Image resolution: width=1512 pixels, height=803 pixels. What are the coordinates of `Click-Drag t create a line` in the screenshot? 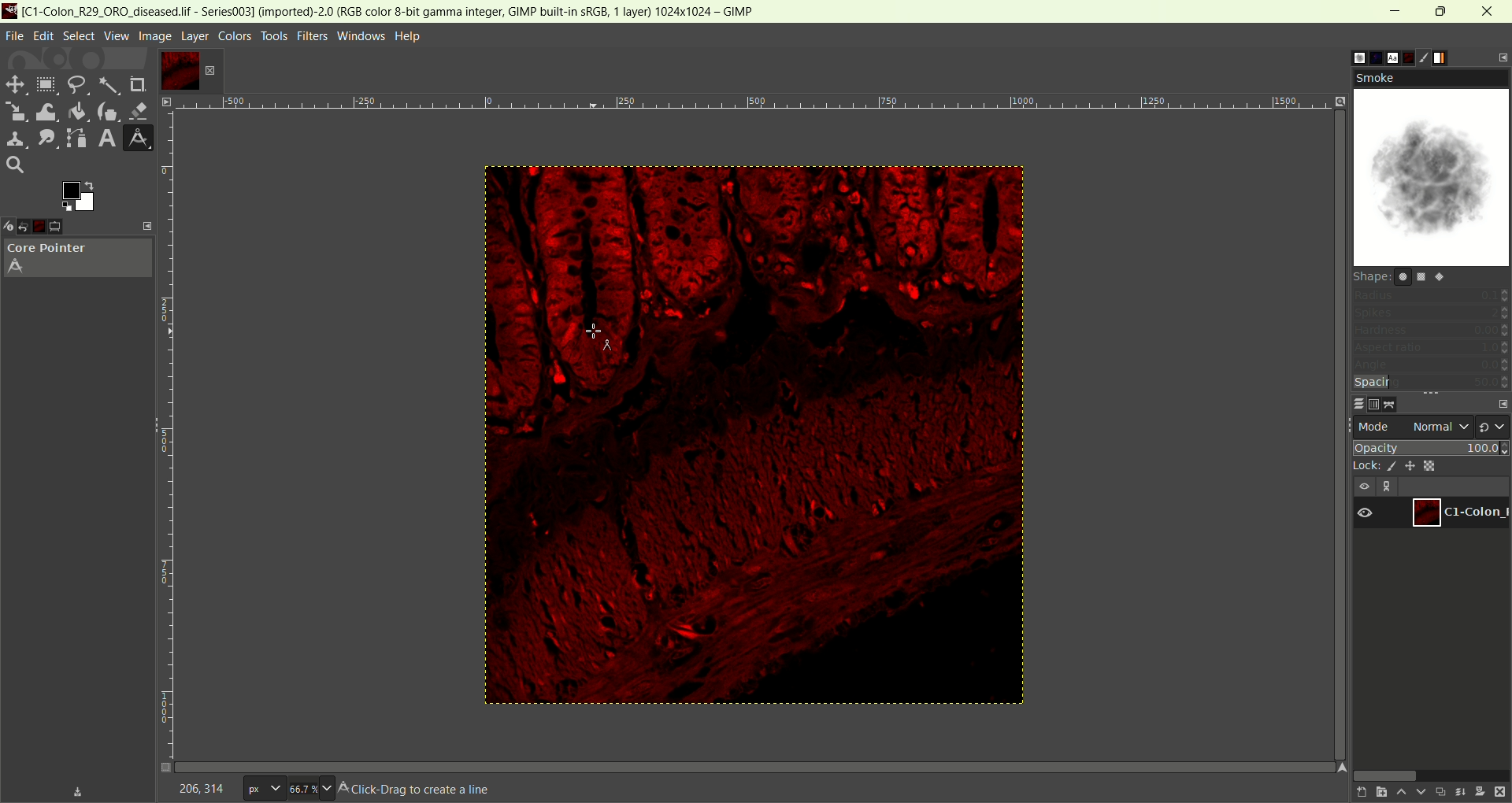 It's located at (418, 790).